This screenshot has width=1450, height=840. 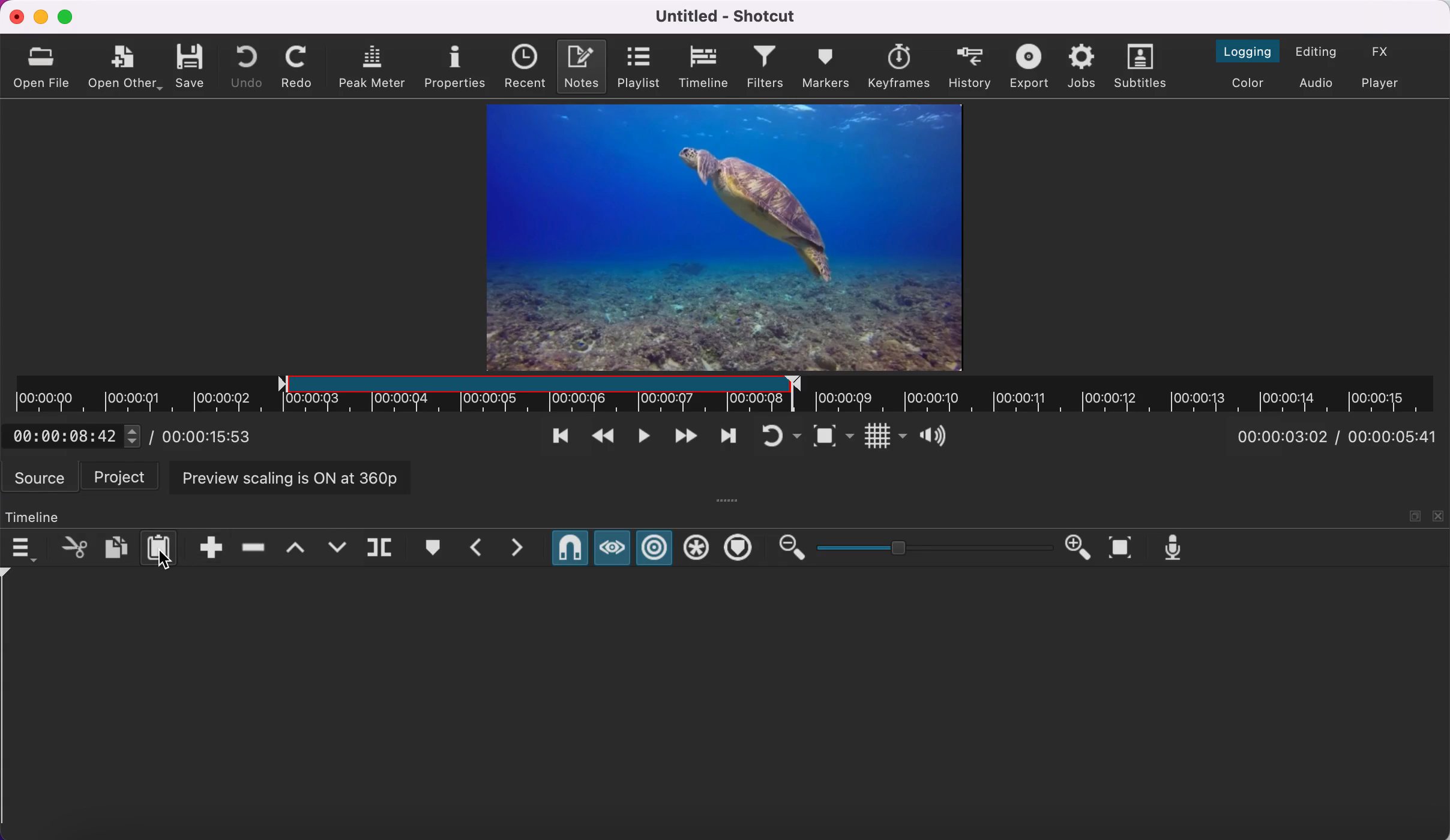 What do you see at coordinates (1319, 83) in the screenshot?
I see `switch to audio layout` at bounding box center [1319, 83].